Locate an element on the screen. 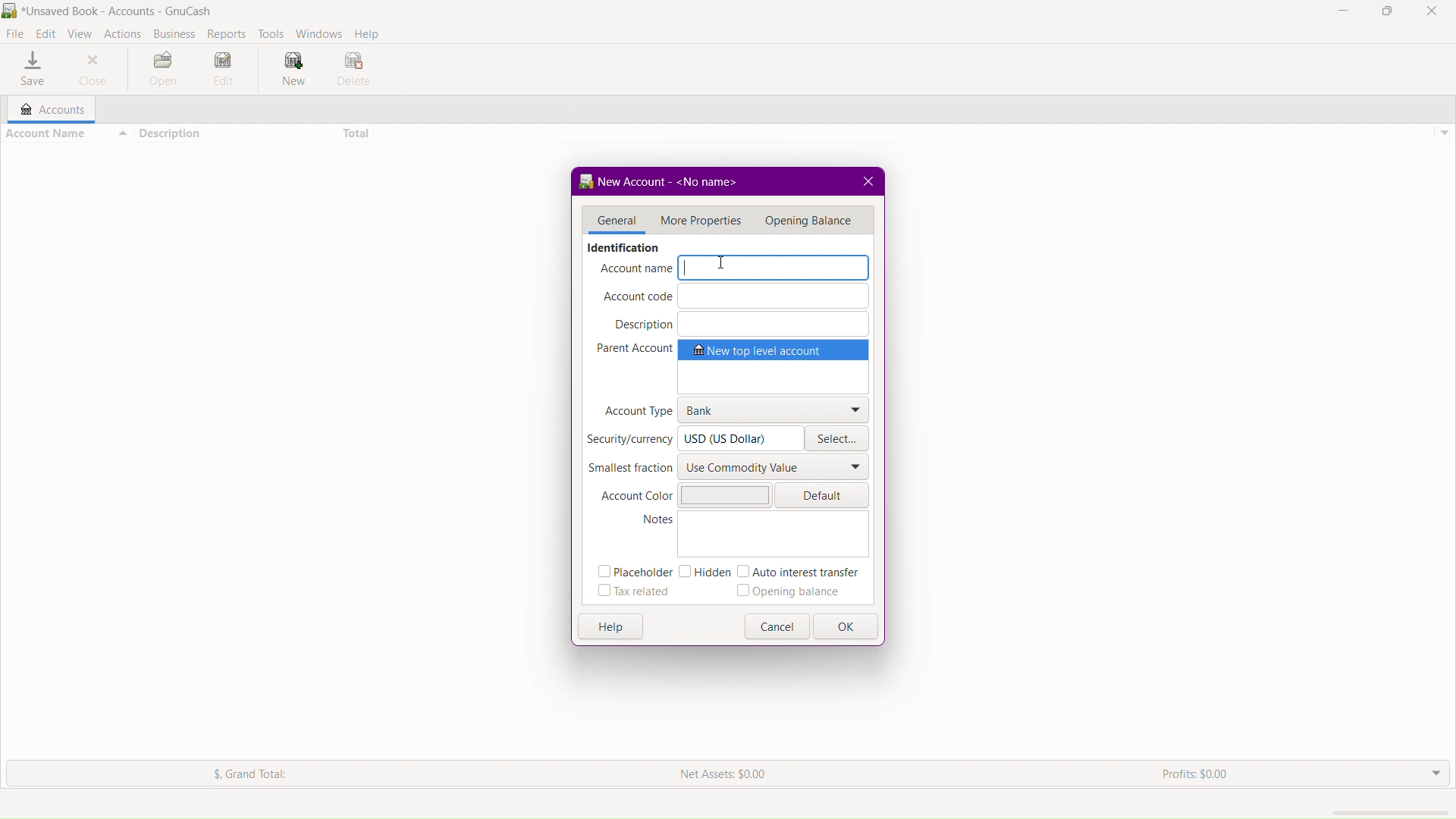 The image size is (1456, 819). Help is located at coordinates (369, 32).